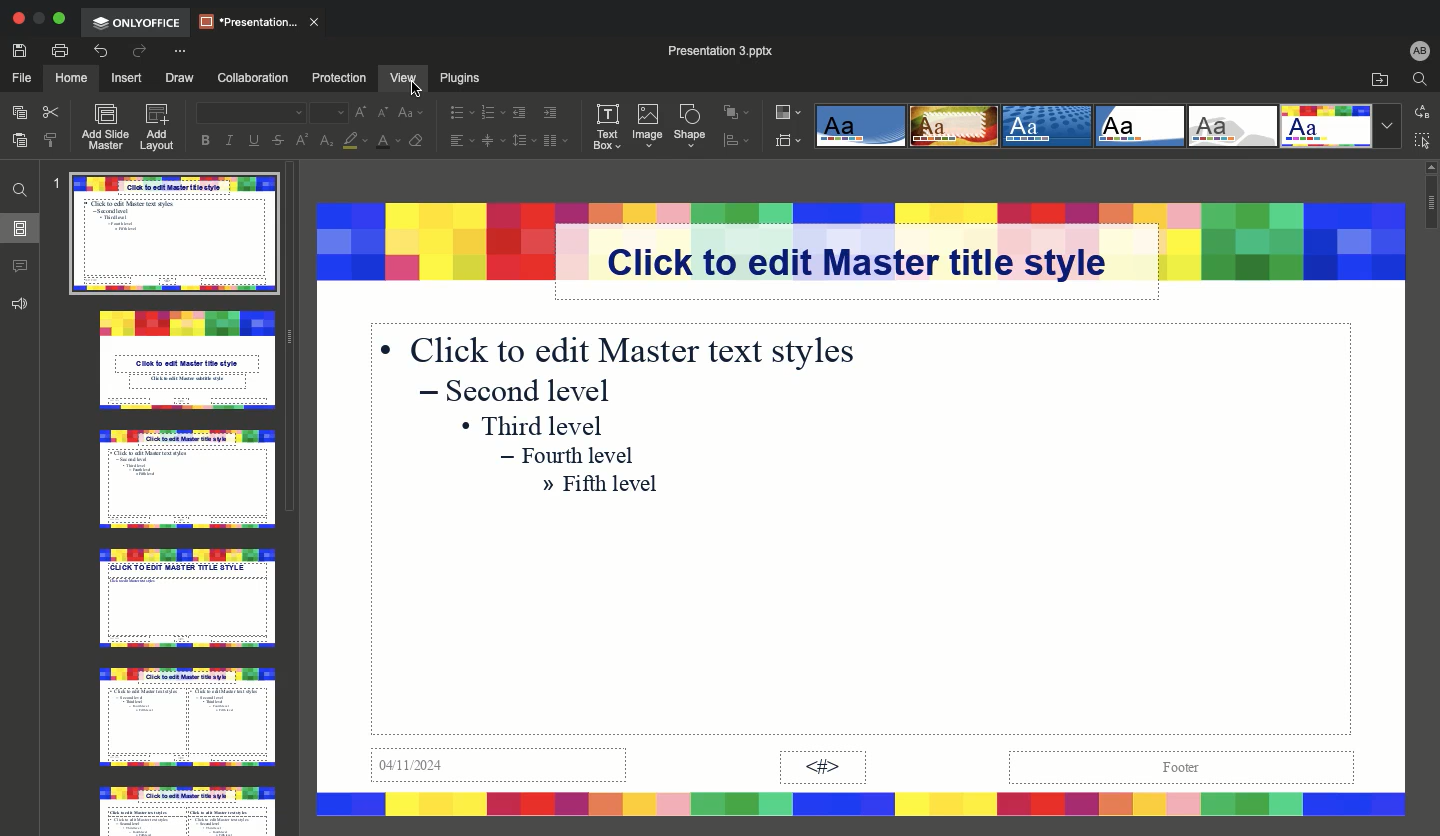  I want to click on Select slide size, so click(790, 141).